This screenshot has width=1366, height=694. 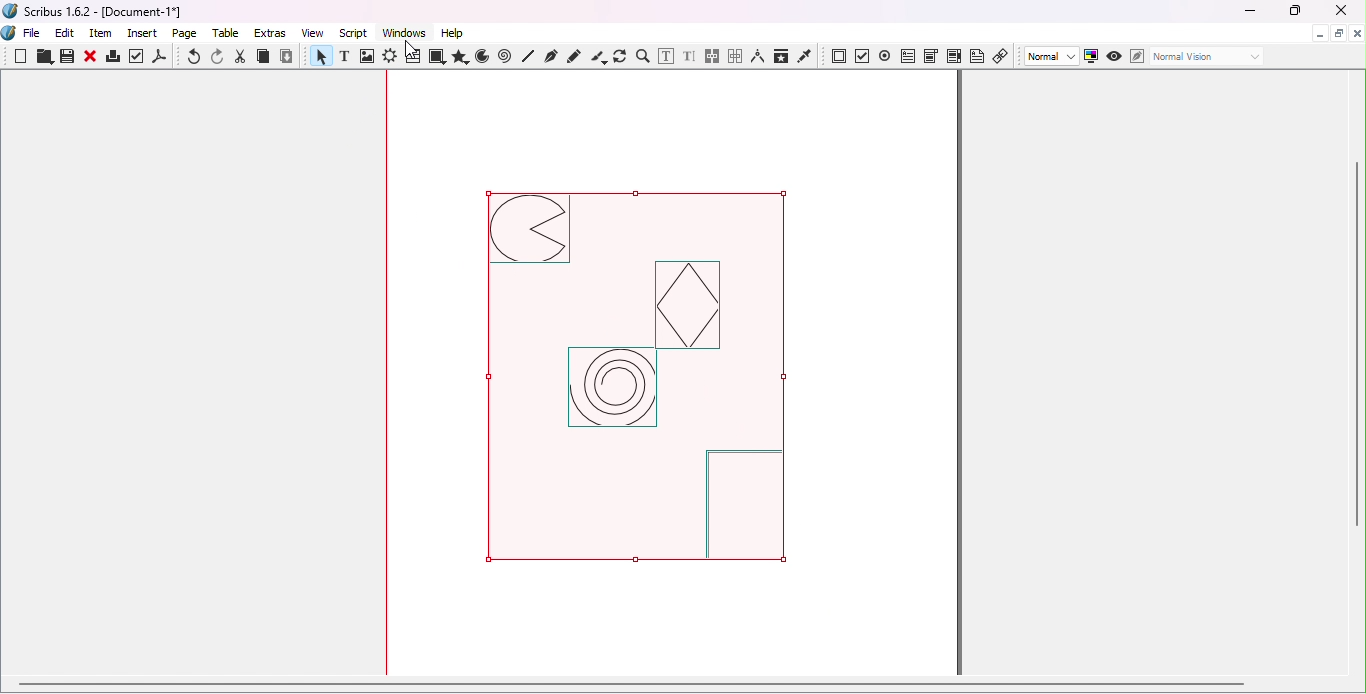 I want to click on PDF combo box, so click(x=930, y=56).